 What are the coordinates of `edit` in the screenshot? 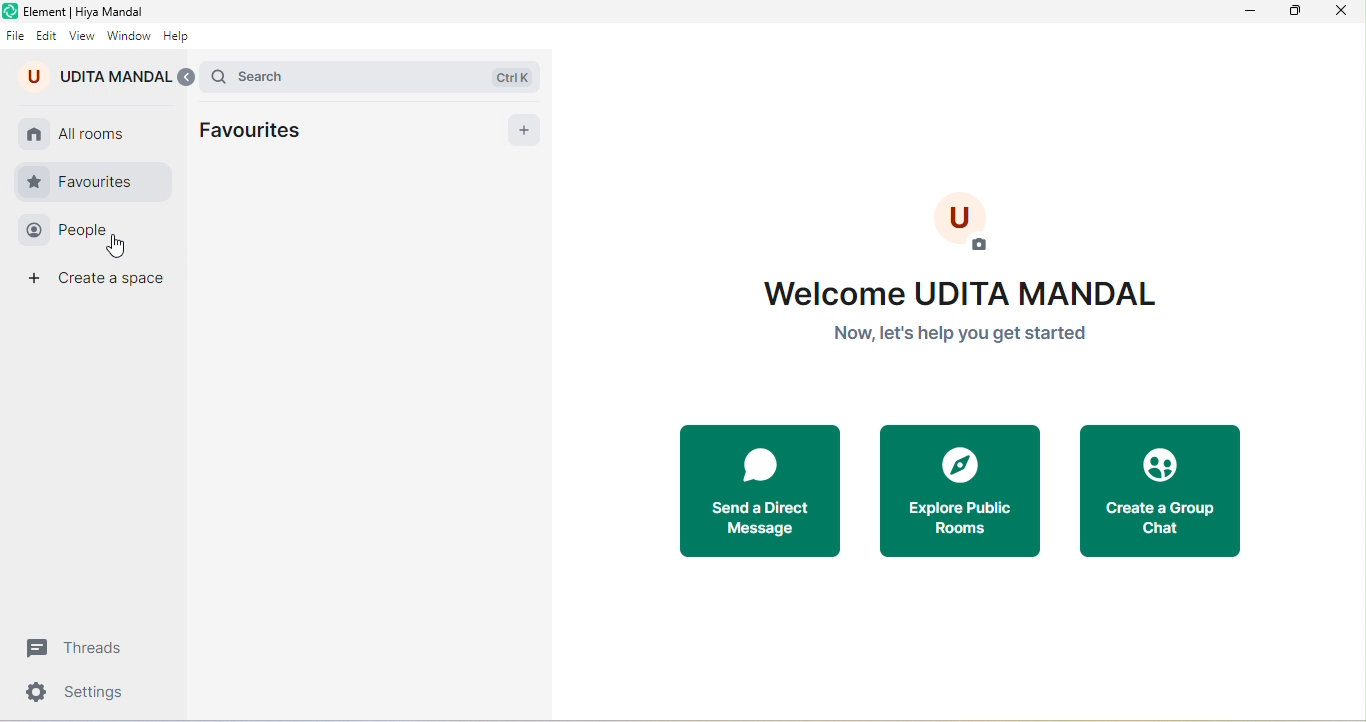 It's located at (47, 31).